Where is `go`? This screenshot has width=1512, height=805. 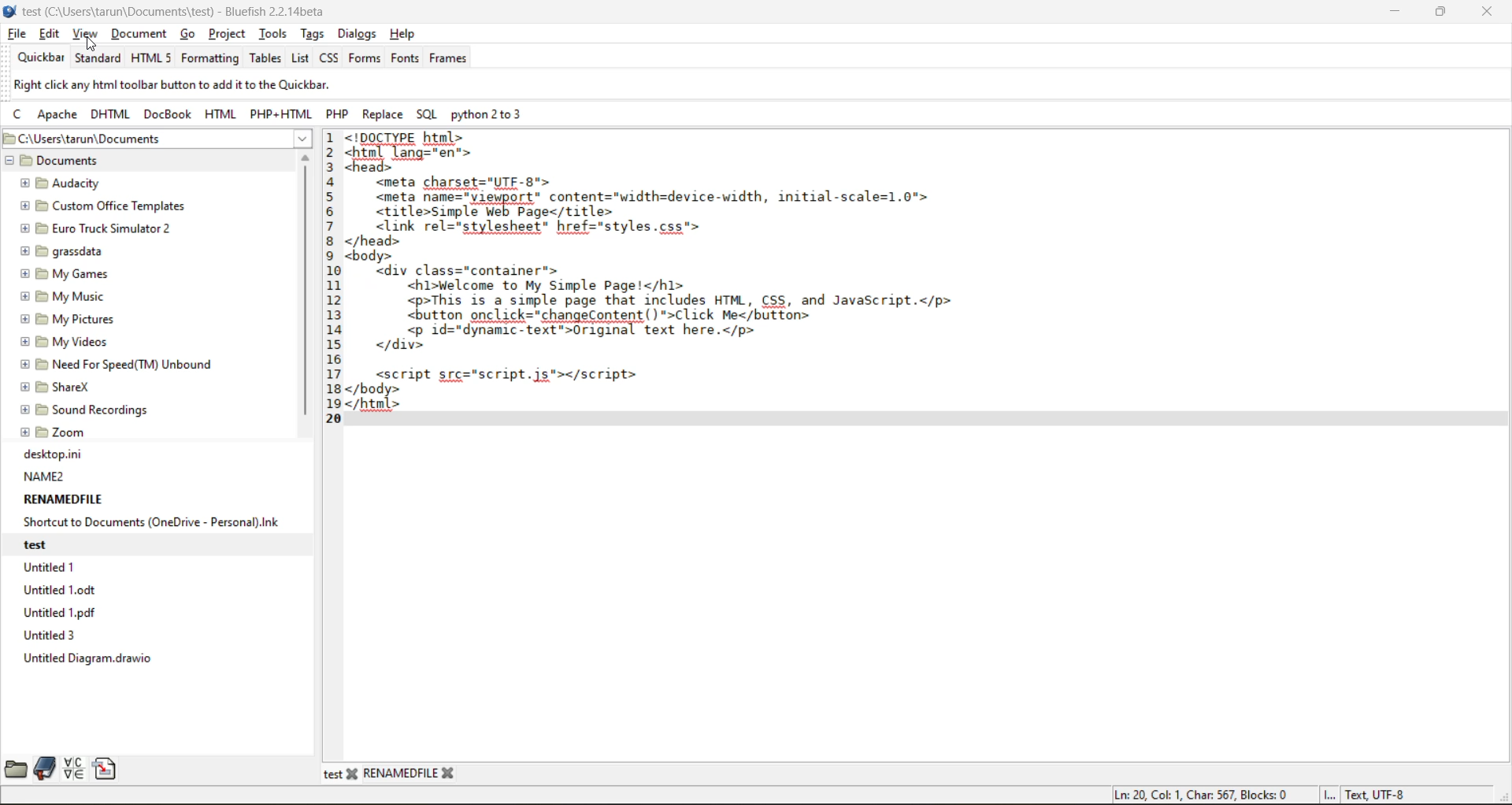 go is located at coordinates (190, 35).